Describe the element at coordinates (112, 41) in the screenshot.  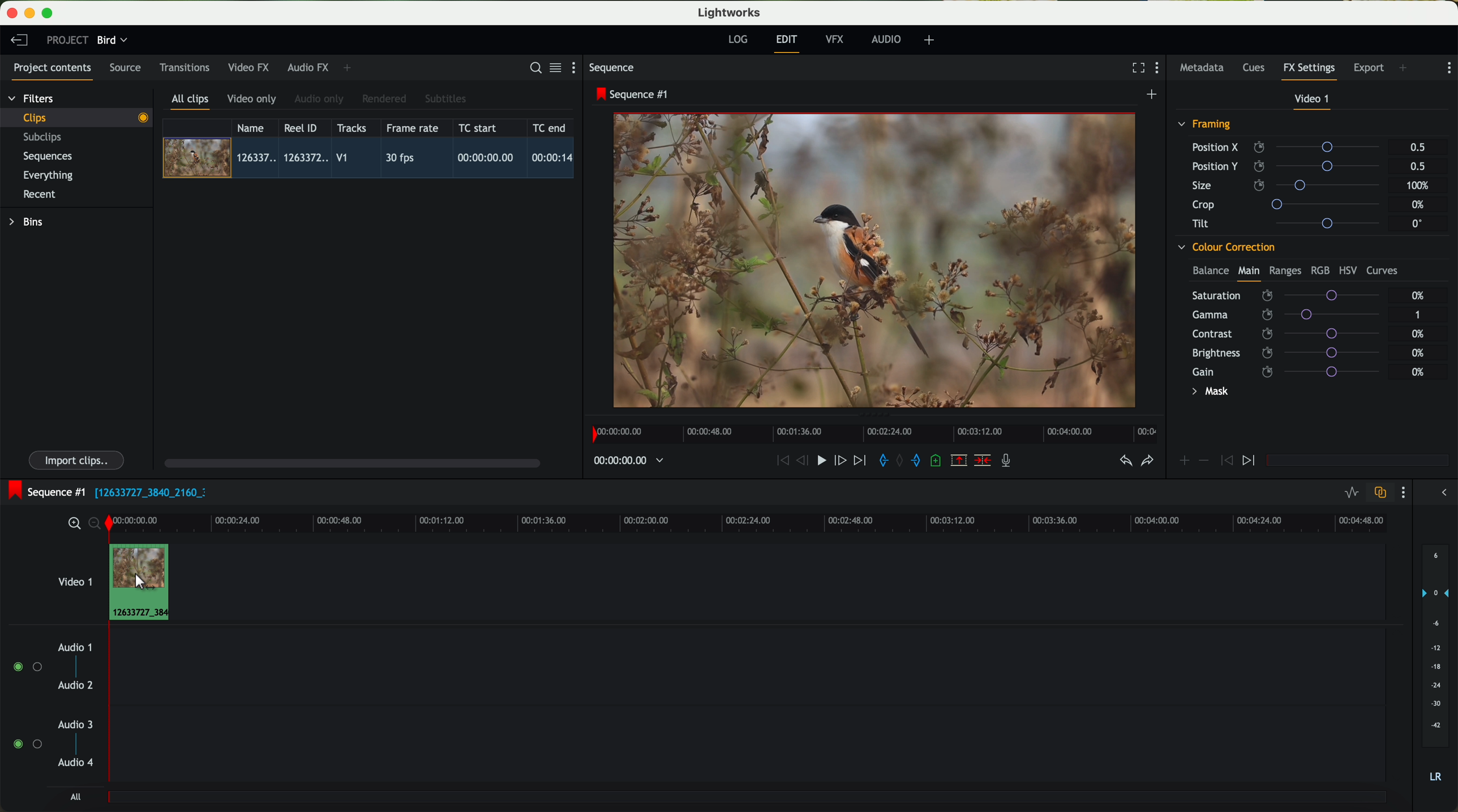
I see `bird` at that location.